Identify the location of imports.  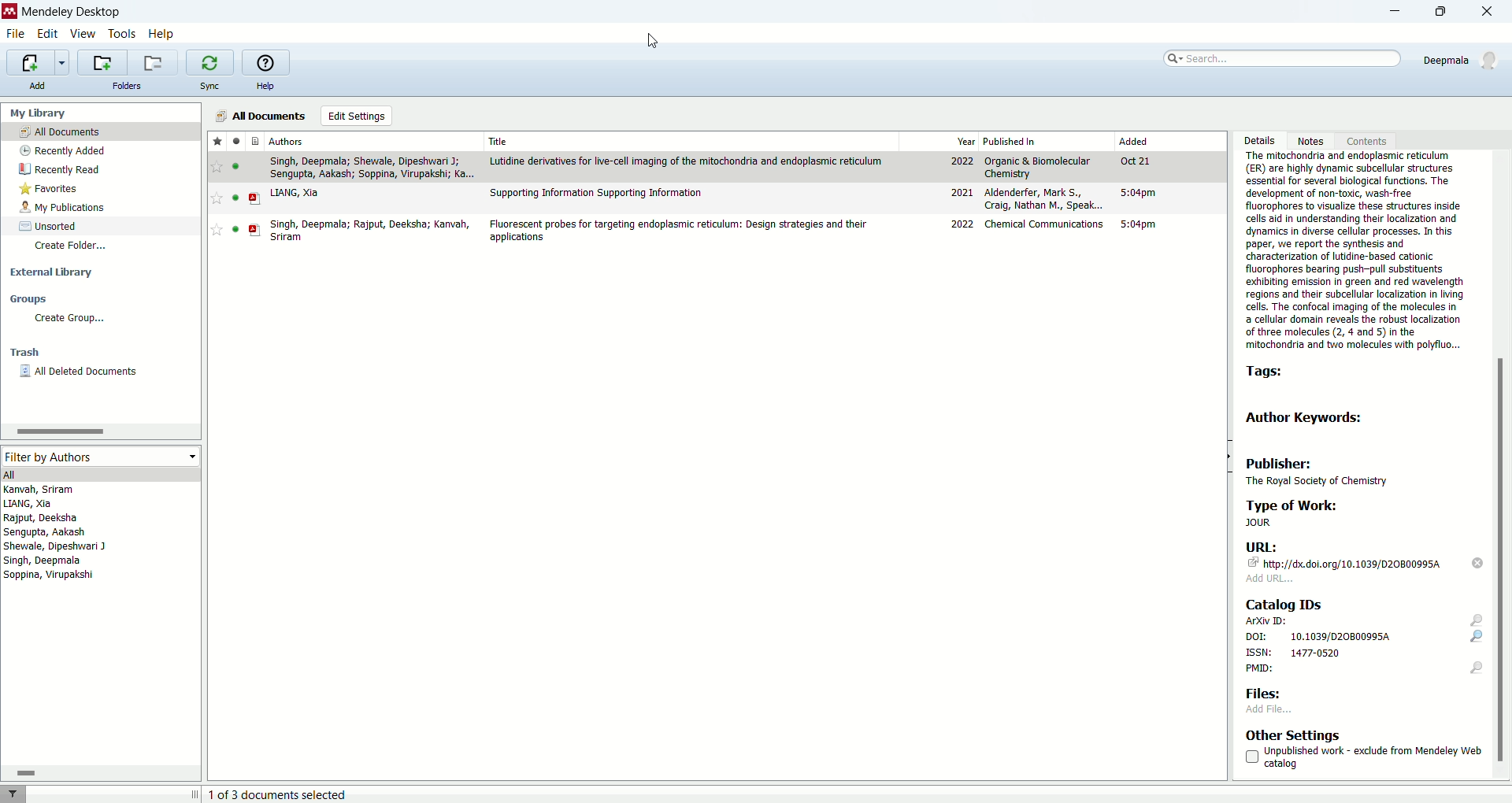
(37, 63).